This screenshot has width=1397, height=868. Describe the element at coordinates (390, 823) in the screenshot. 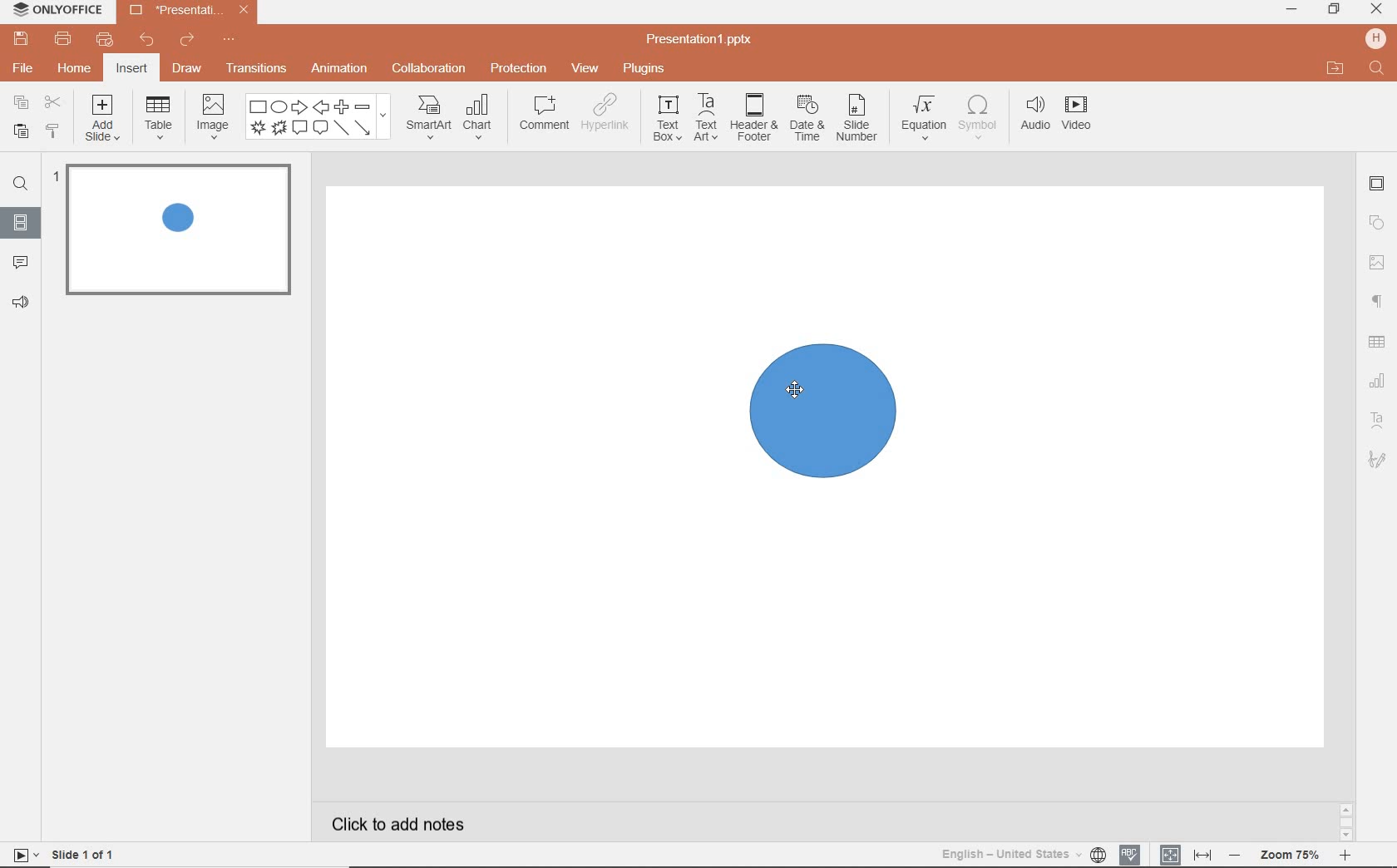

I see `click to add notes` at that location.